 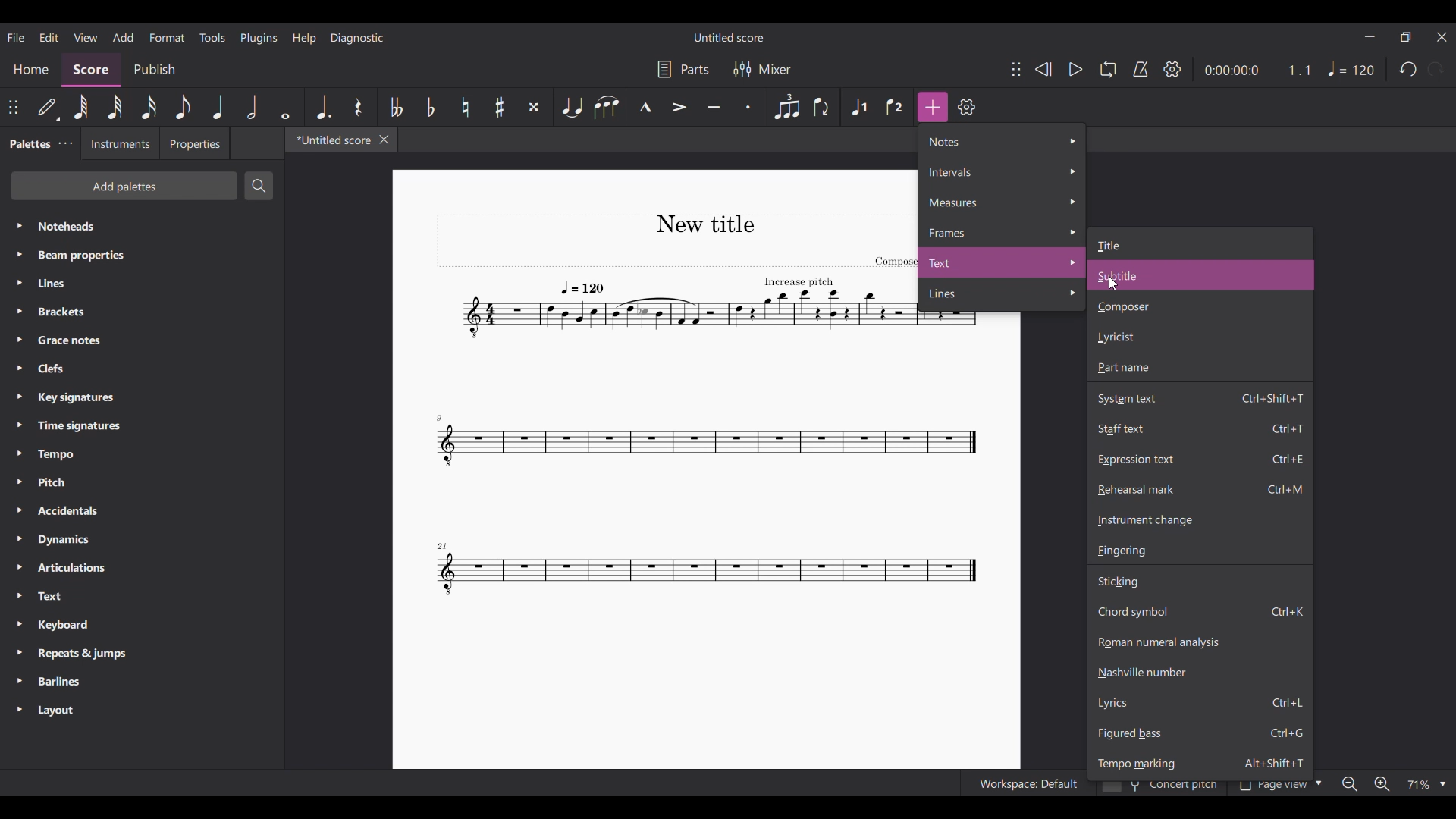 I want to click on Plugins menu, so click(x=259, y=38).